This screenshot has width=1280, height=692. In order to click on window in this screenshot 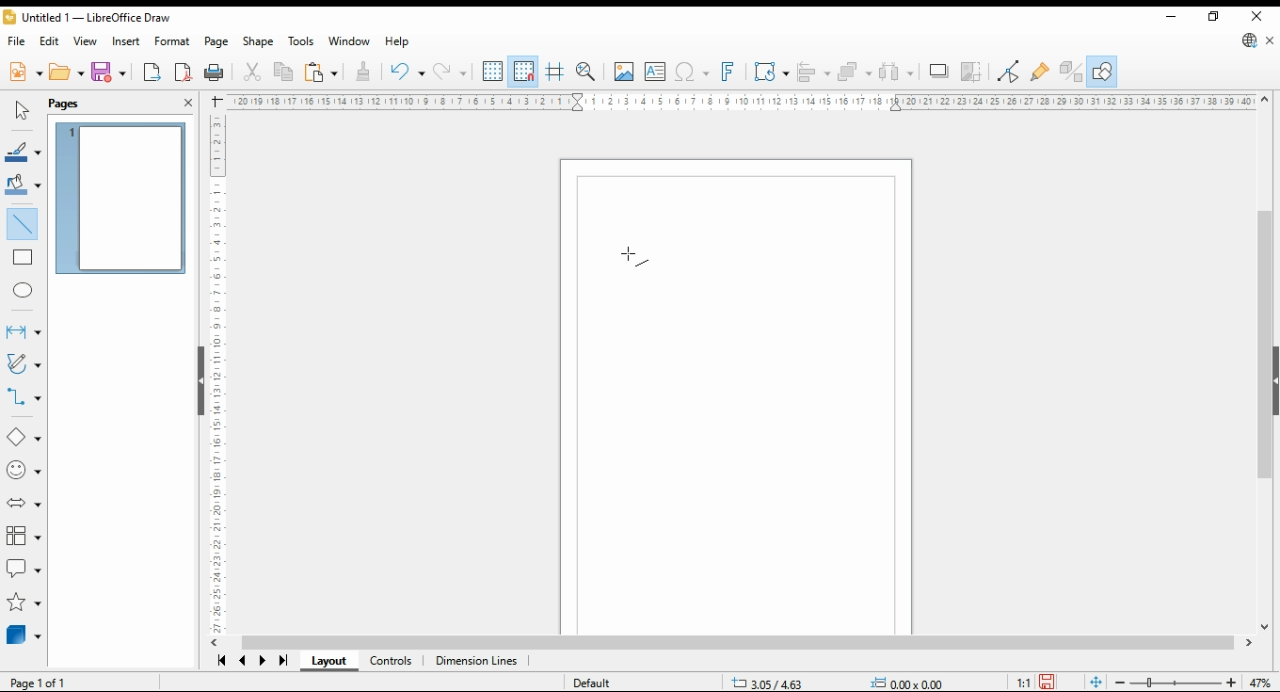, I will do `click(348, 42)`.